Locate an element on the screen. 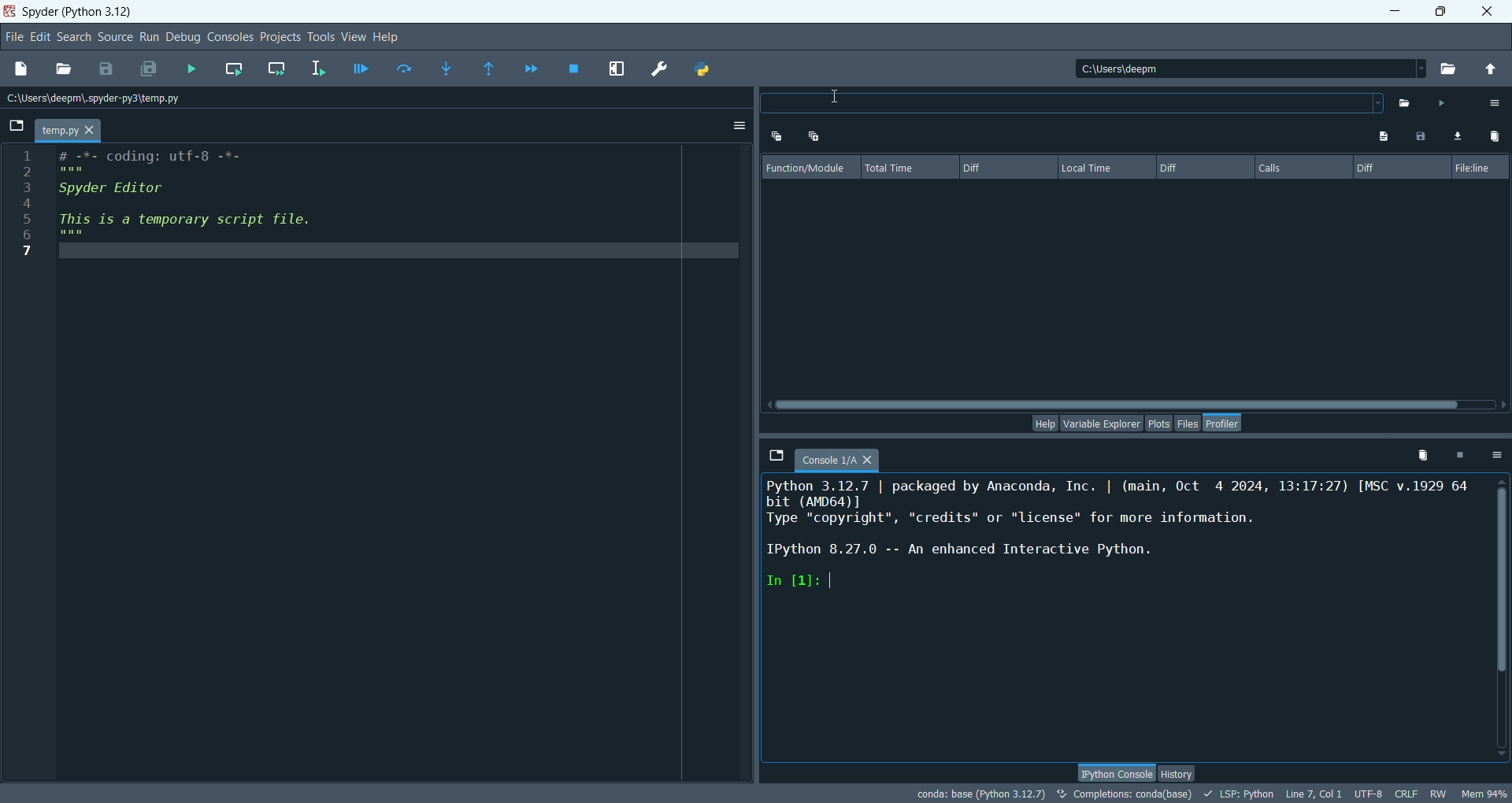 This screenshot has height=803, width=1512. run current cell and go to next one is located at coordinates (280, 67).